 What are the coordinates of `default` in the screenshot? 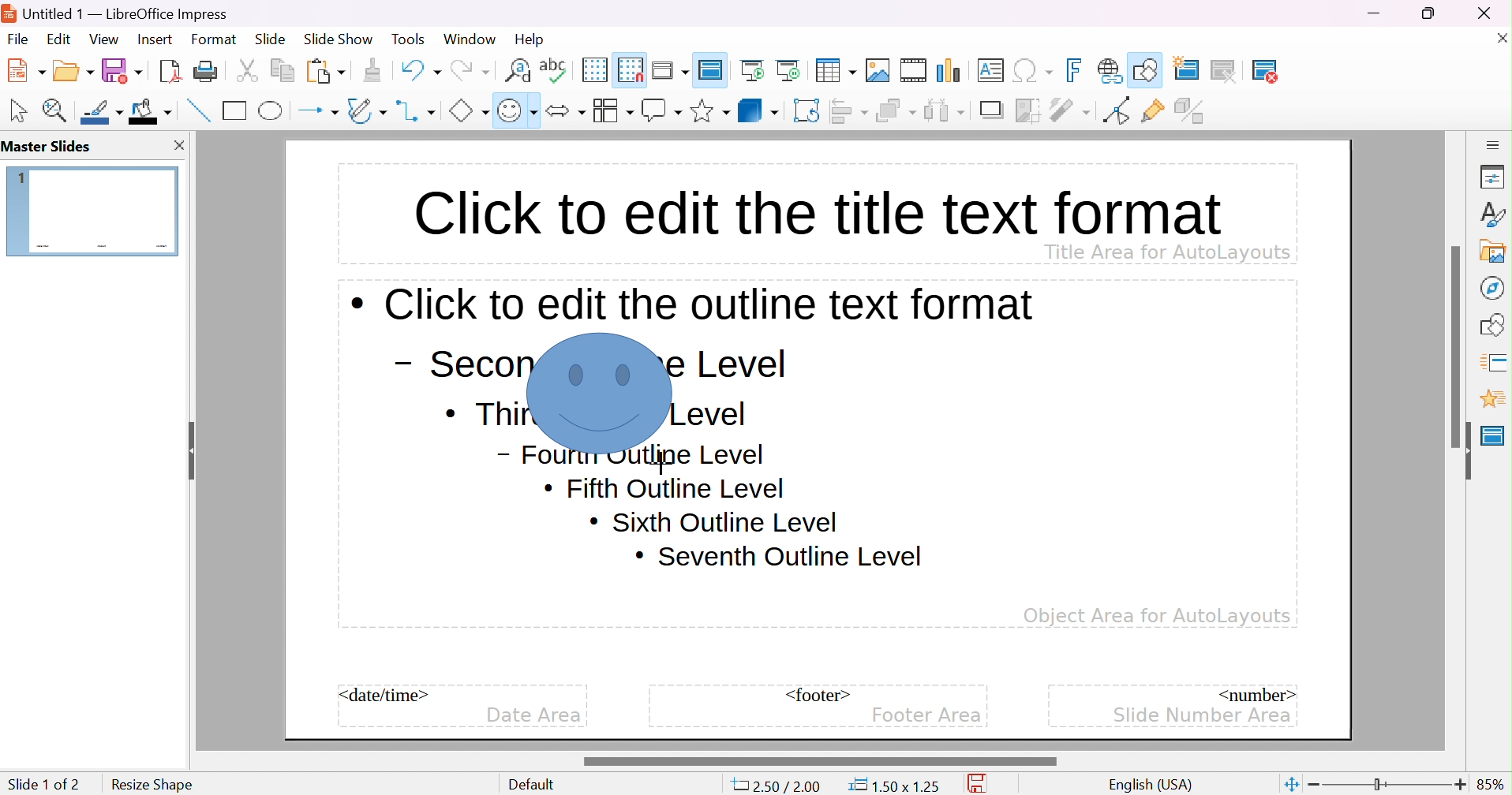 It's located at (536, 785).